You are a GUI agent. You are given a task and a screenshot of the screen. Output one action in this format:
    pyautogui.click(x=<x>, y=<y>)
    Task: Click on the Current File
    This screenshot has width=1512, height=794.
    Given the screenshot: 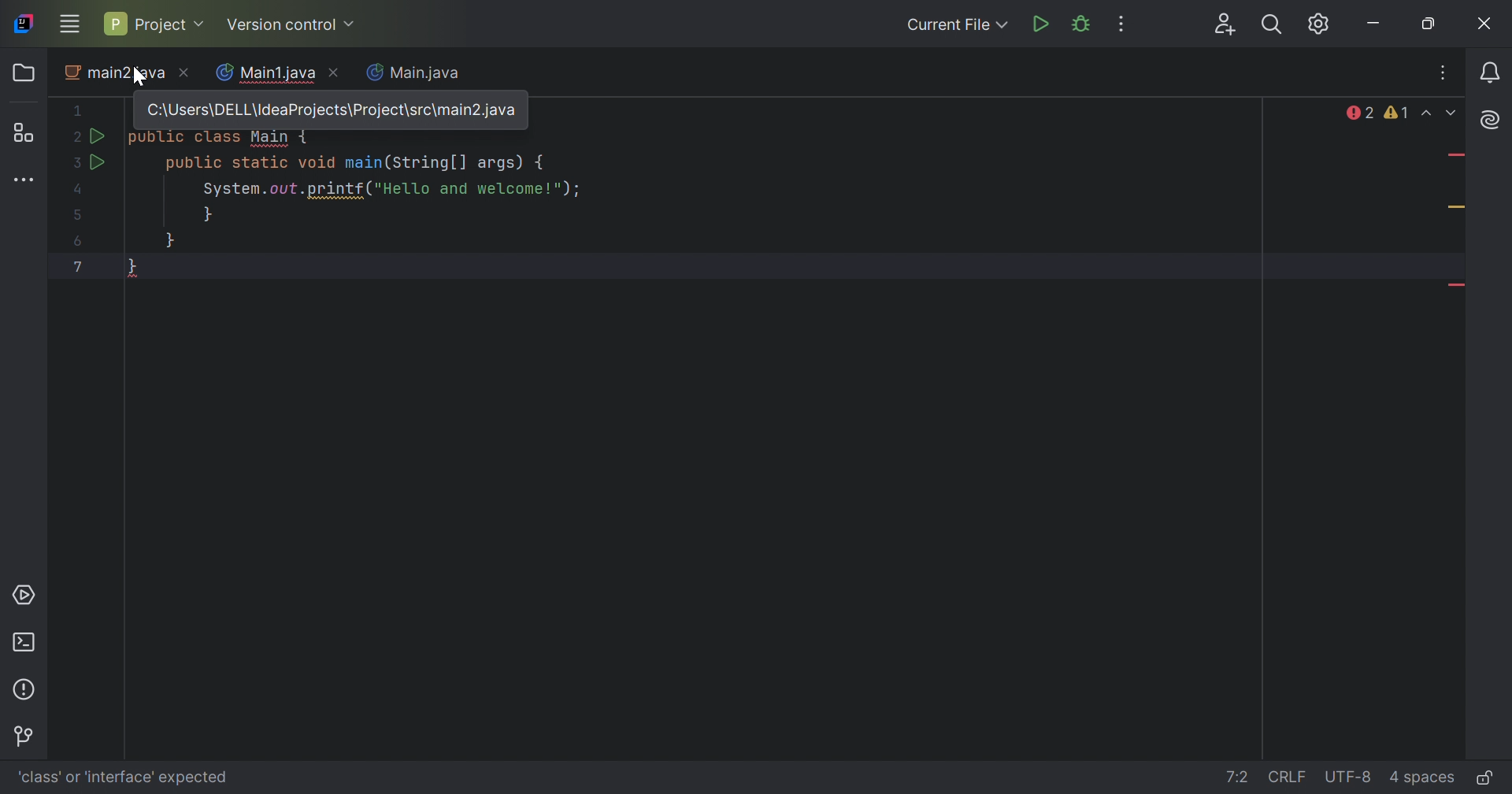 What is the action you would take?
    pyautogui.click(x=958, y=25)
    